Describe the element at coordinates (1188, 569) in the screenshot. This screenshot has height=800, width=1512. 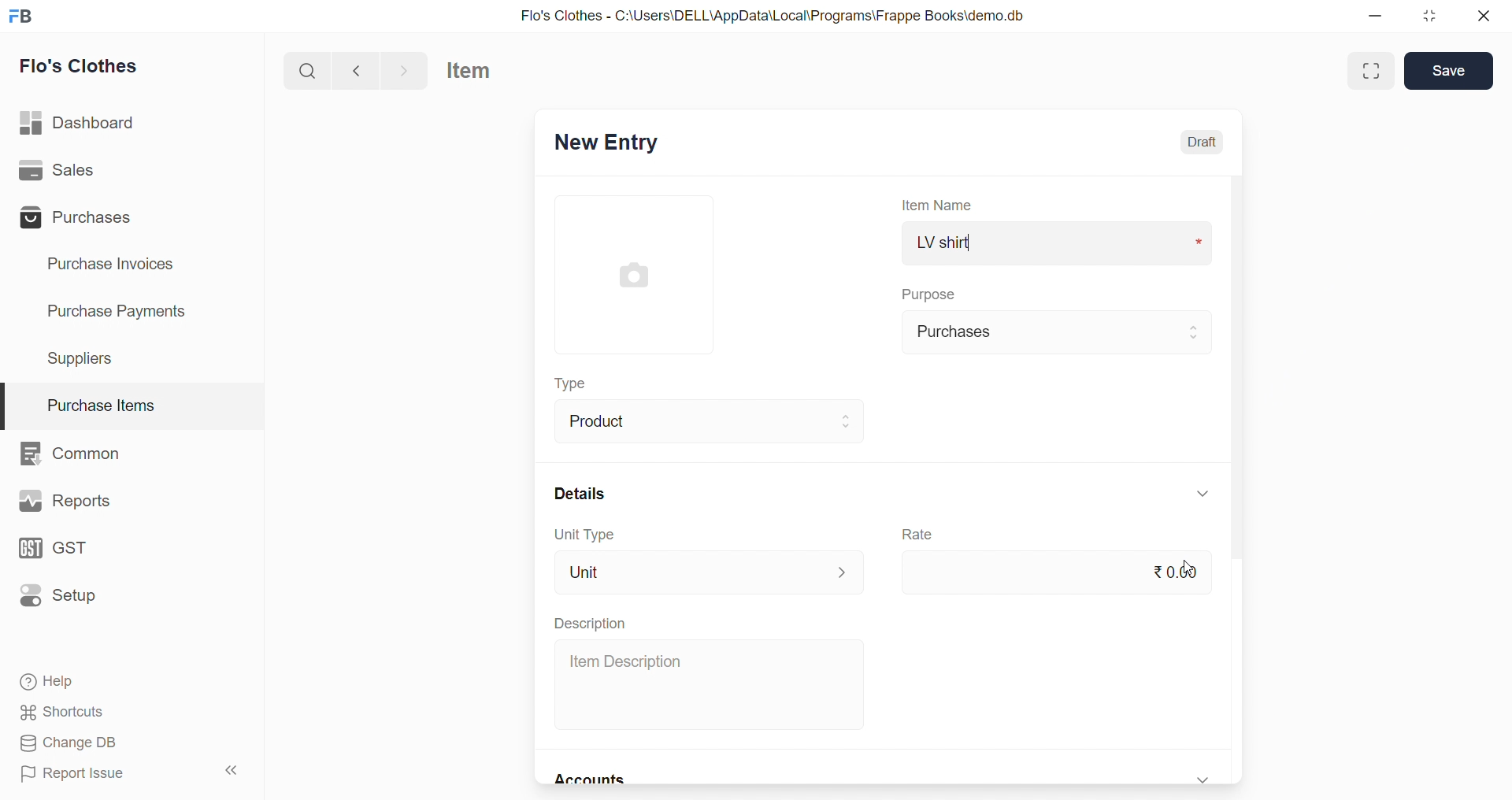
I see `cursor` at that location.